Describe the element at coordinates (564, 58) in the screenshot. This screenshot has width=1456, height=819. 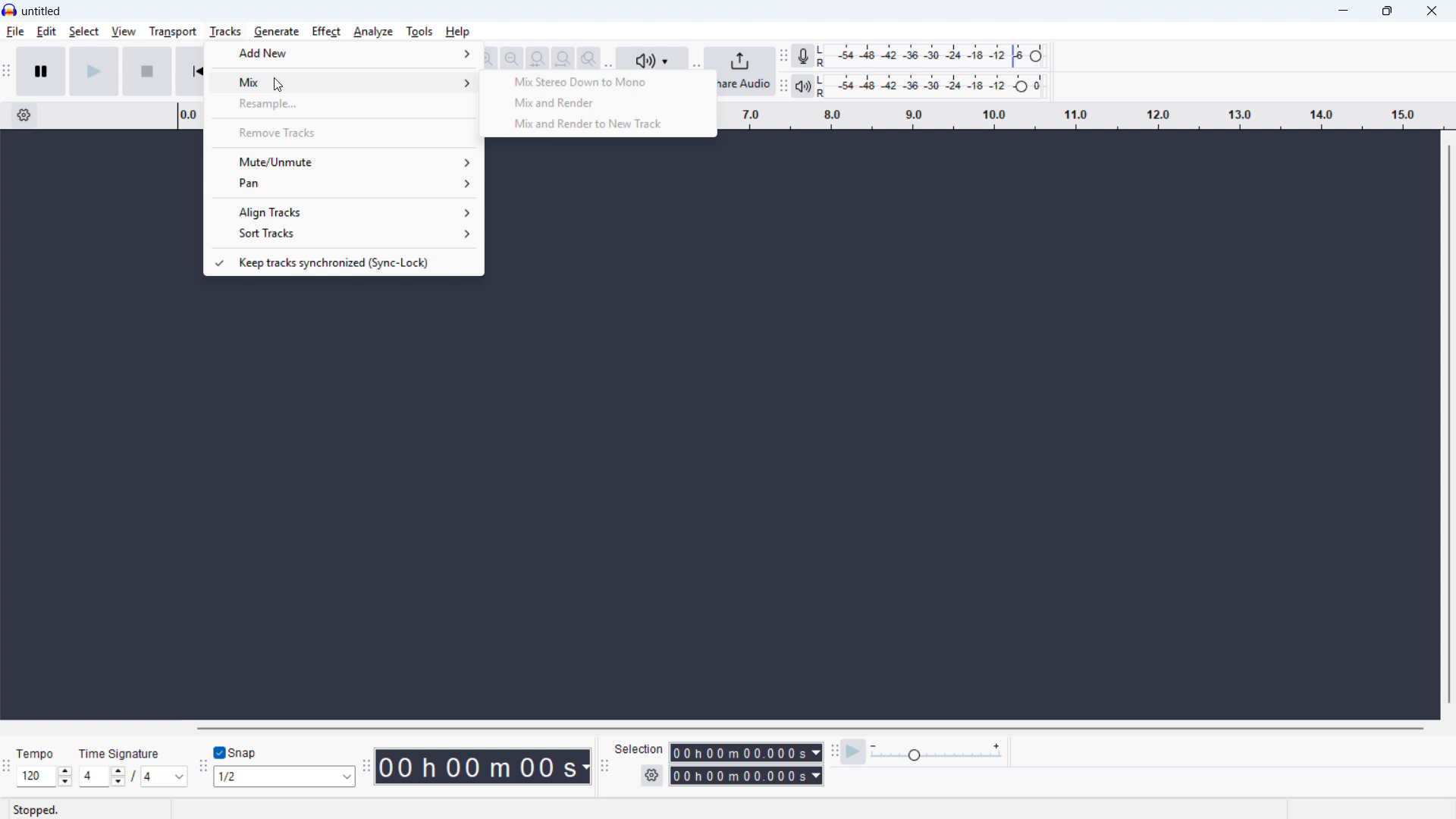
I see `Fit project to width ` at that location.